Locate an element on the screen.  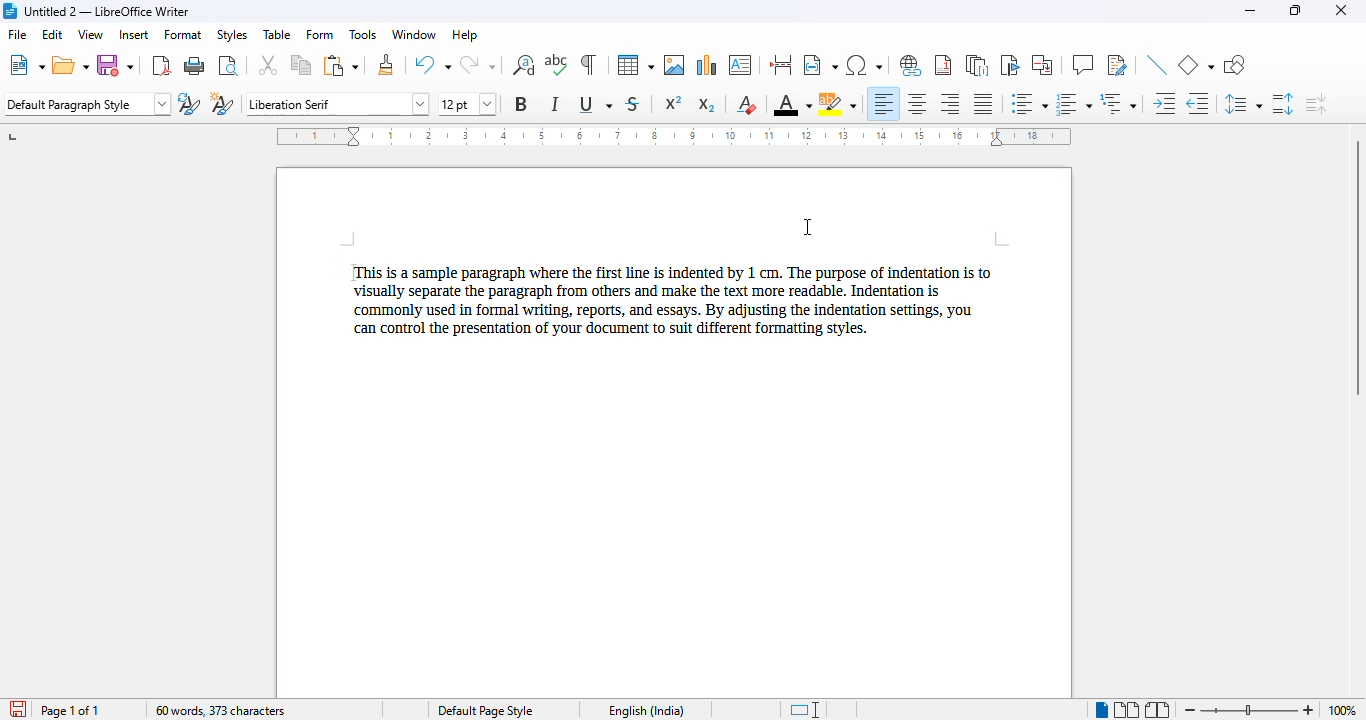
help is located at coordinates (465, 35).